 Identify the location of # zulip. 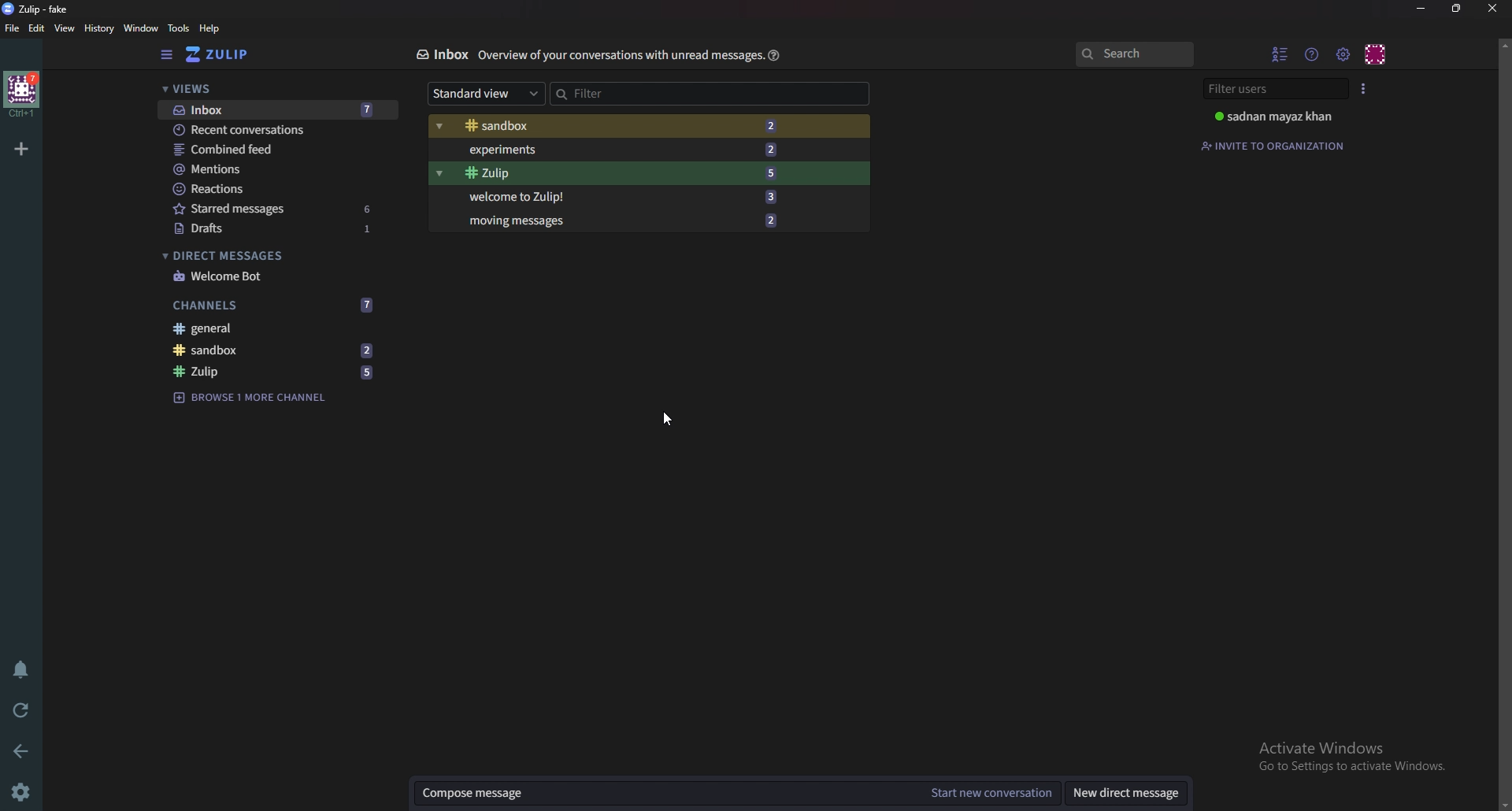
(228, 371).